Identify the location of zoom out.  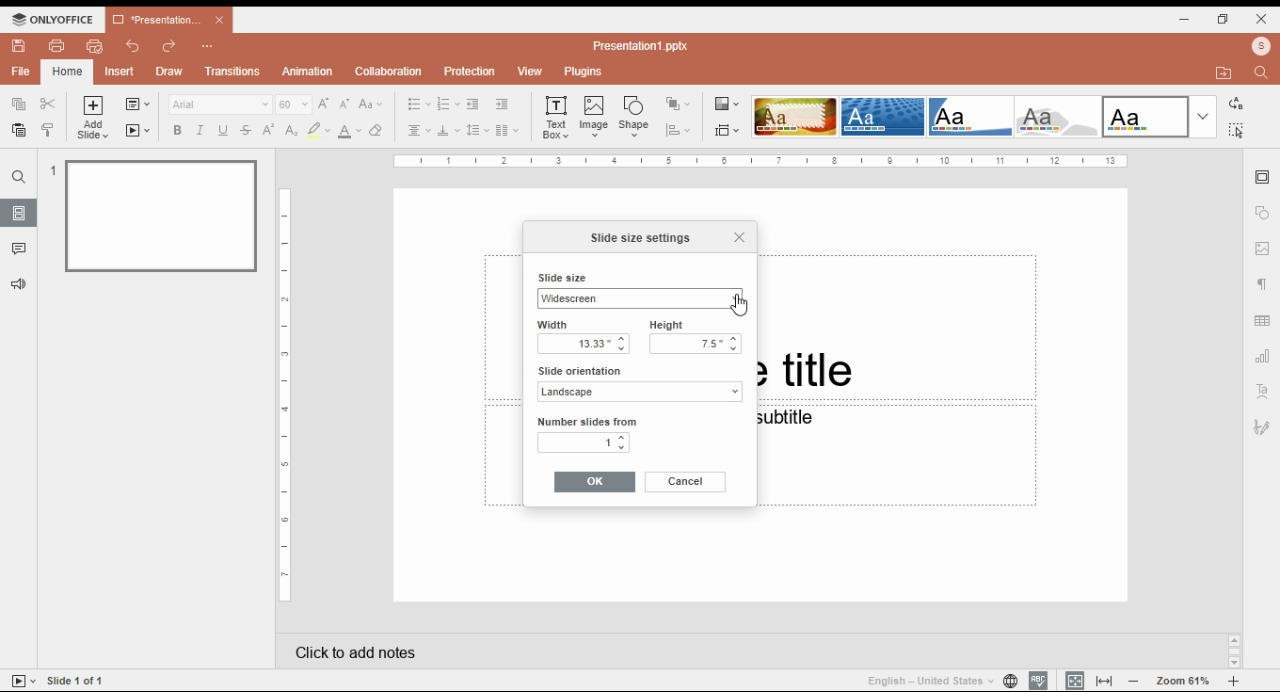
(1134, 680).